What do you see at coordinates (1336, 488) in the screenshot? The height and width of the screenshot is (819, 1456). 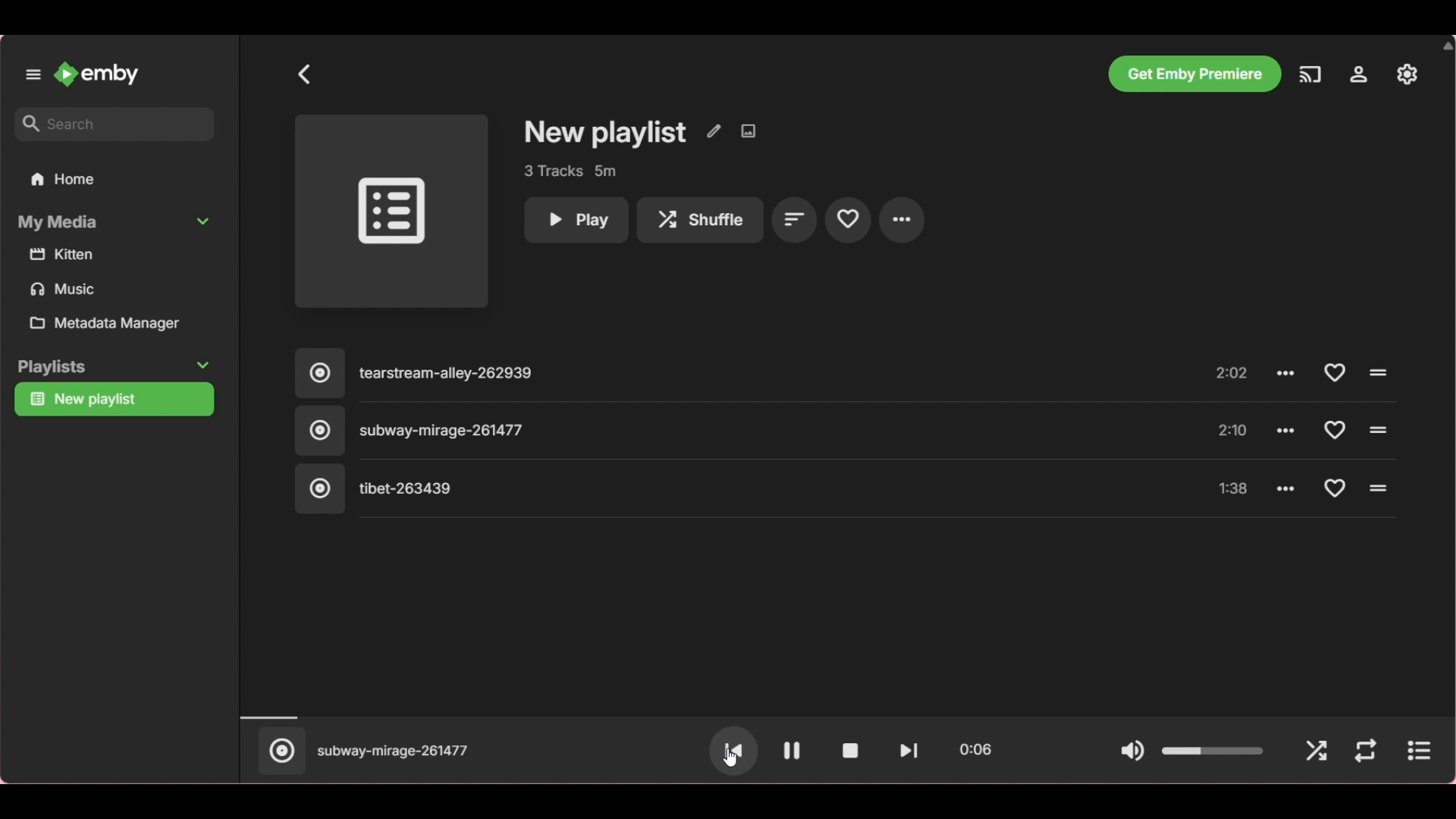 I see `Add respective song to favorites` at bounding box center [1336, 488].